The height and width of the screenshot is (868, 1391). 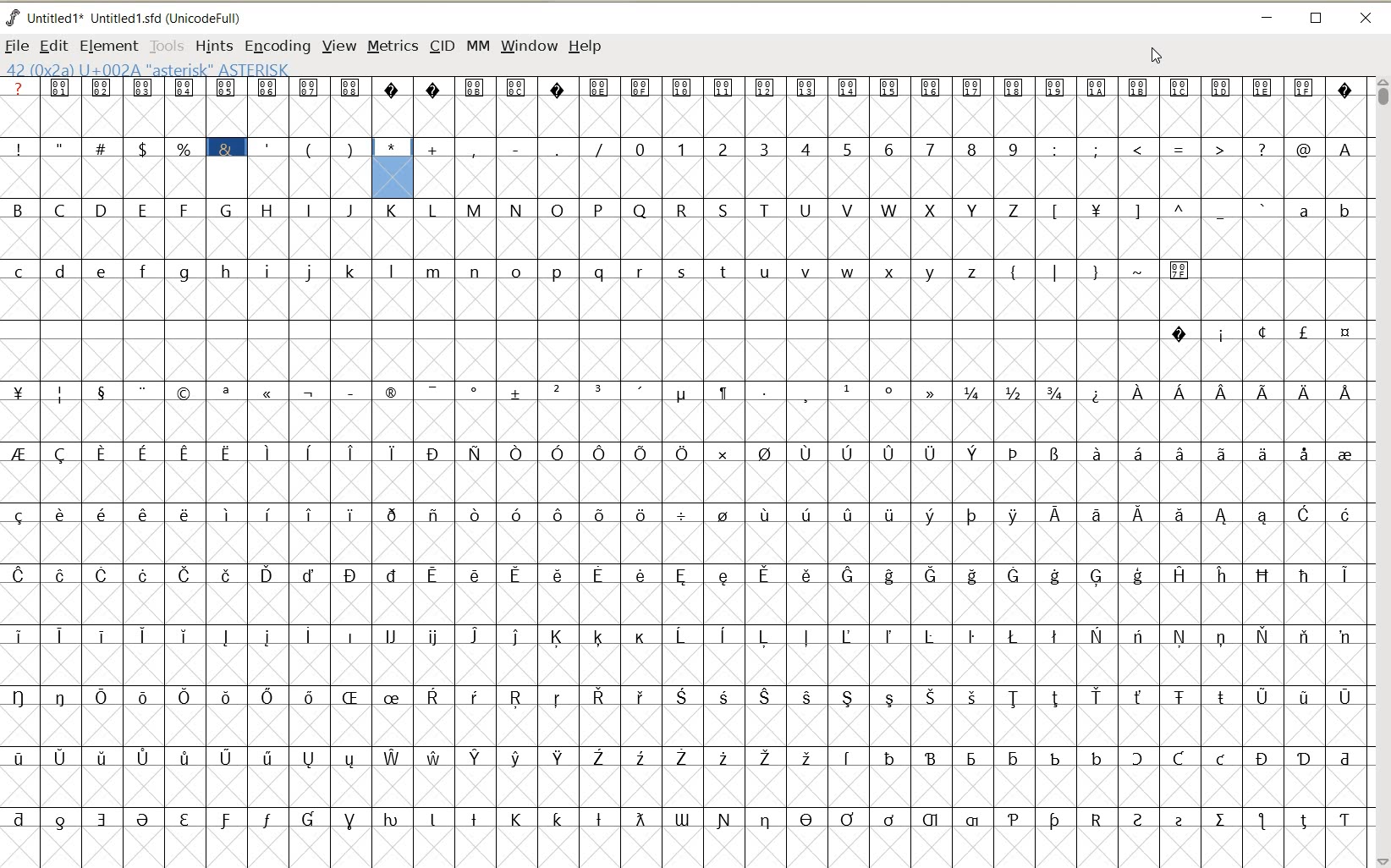 What do you see at coordinates (1267, 18) in the screenshot?
I see `MINIMIZE` at bounding box center [1267, 18].